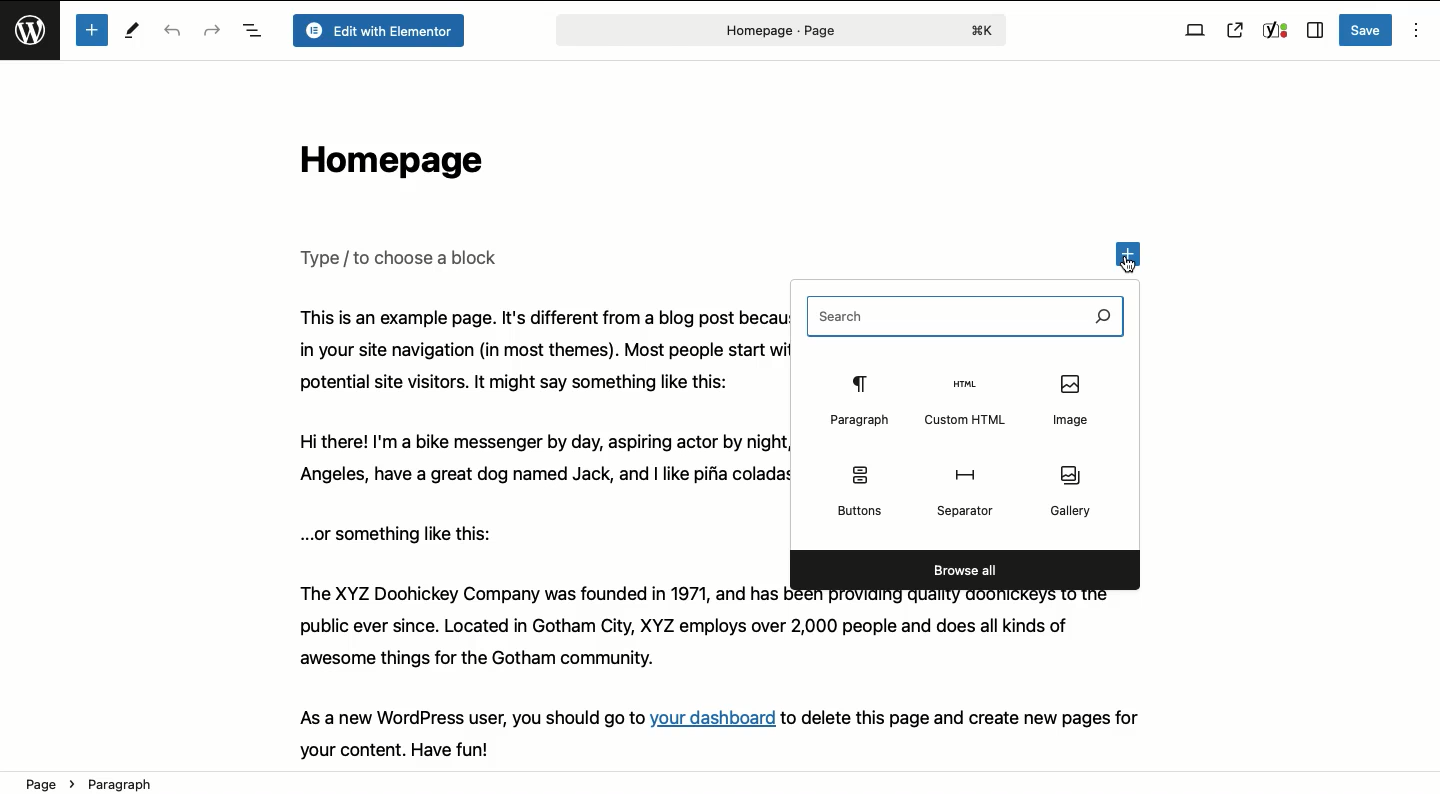 The height and width of the screenshot is (794, 1440). What do you see at coordinates (134, 33) in the screenshot?
I see `Tools` at bounding box center [134, 33].